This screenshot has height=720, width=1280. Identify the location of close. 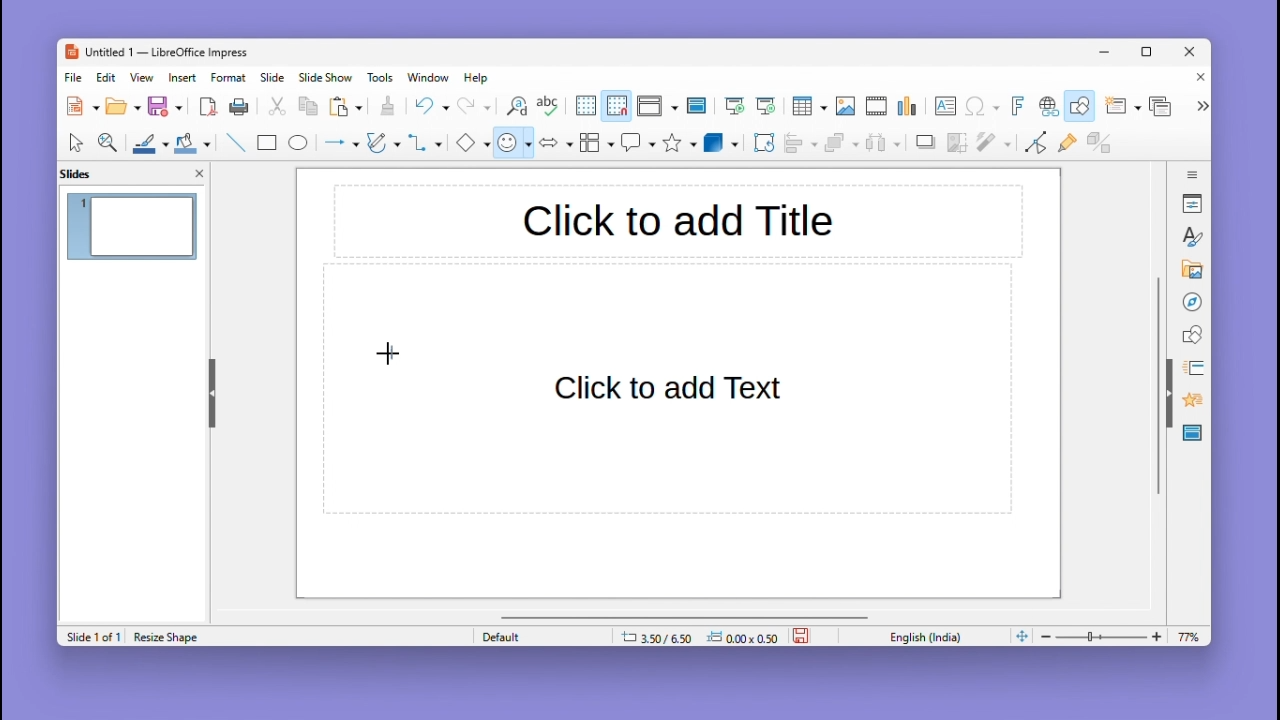
(199, 172).